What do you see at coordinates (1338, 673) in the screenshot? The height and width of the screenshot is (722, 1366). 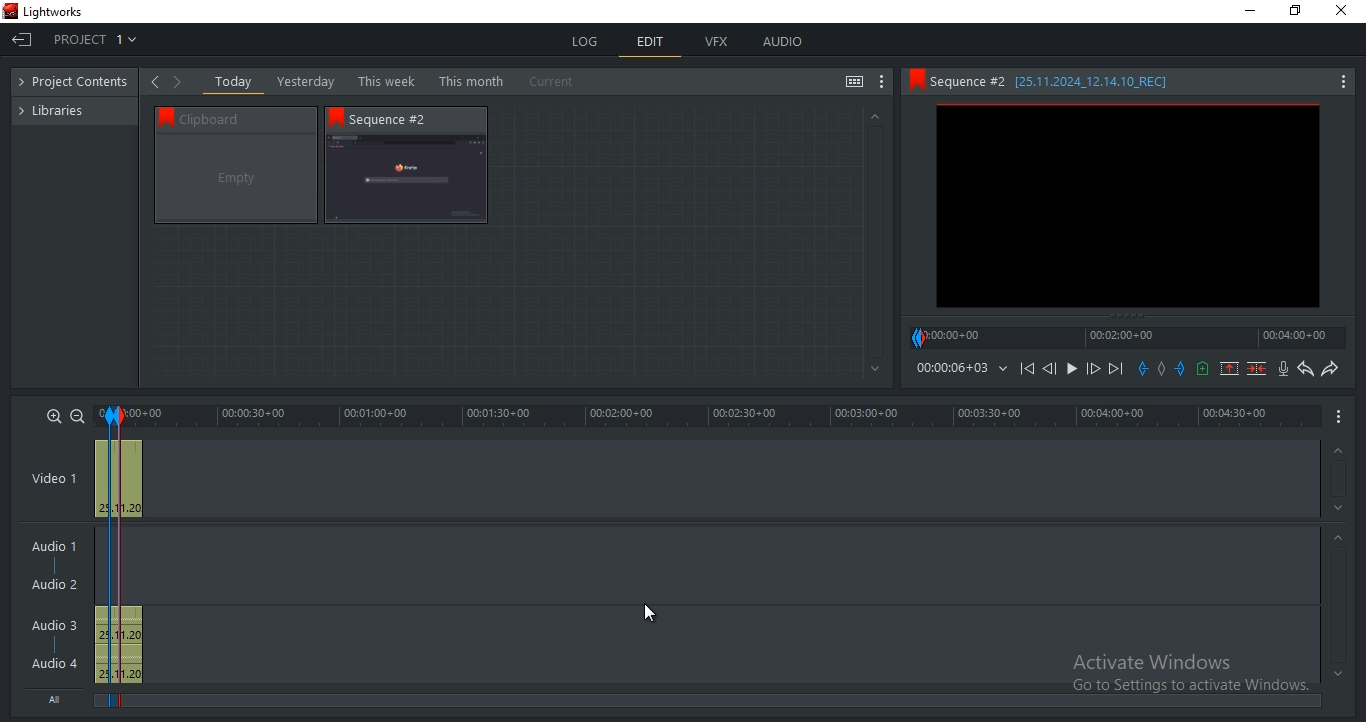 I see `Greyed out down arrow` at bounding box center [1338, 673].